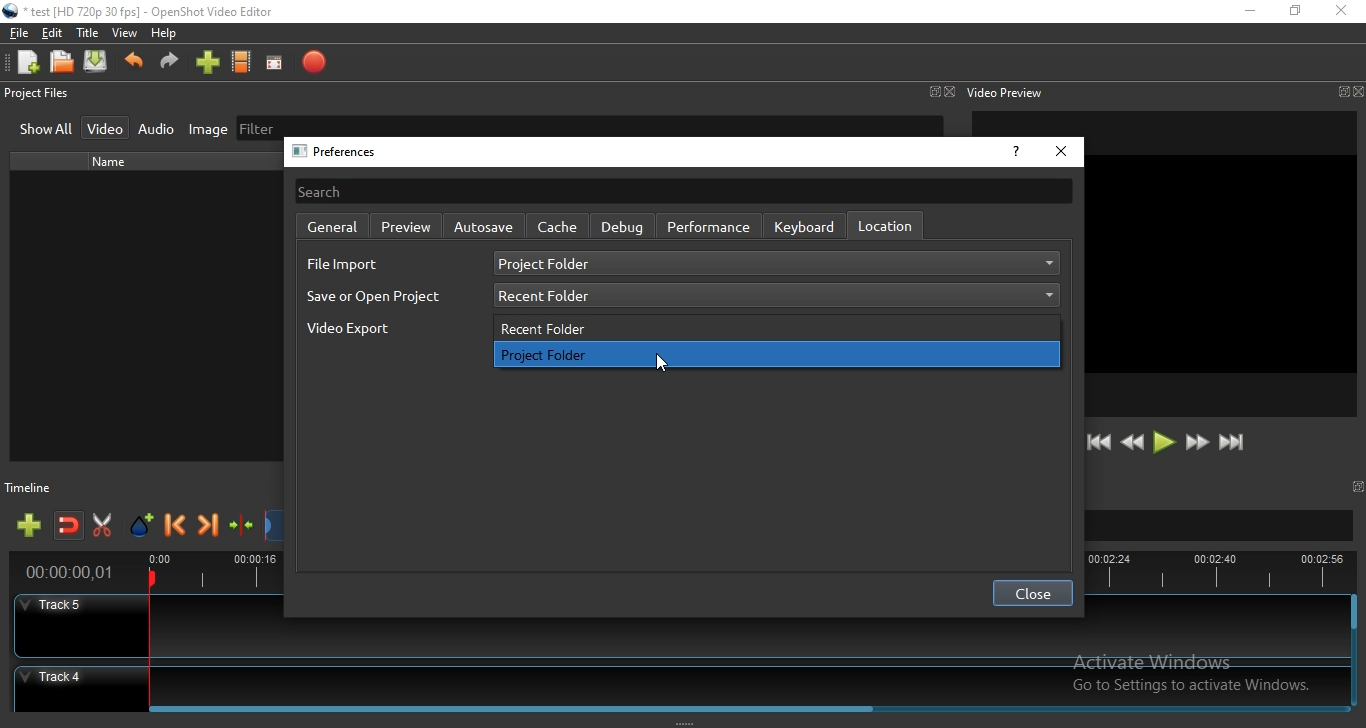 This screenshot has width=1366, height=728. I want to click on import files, so click(206, 65).